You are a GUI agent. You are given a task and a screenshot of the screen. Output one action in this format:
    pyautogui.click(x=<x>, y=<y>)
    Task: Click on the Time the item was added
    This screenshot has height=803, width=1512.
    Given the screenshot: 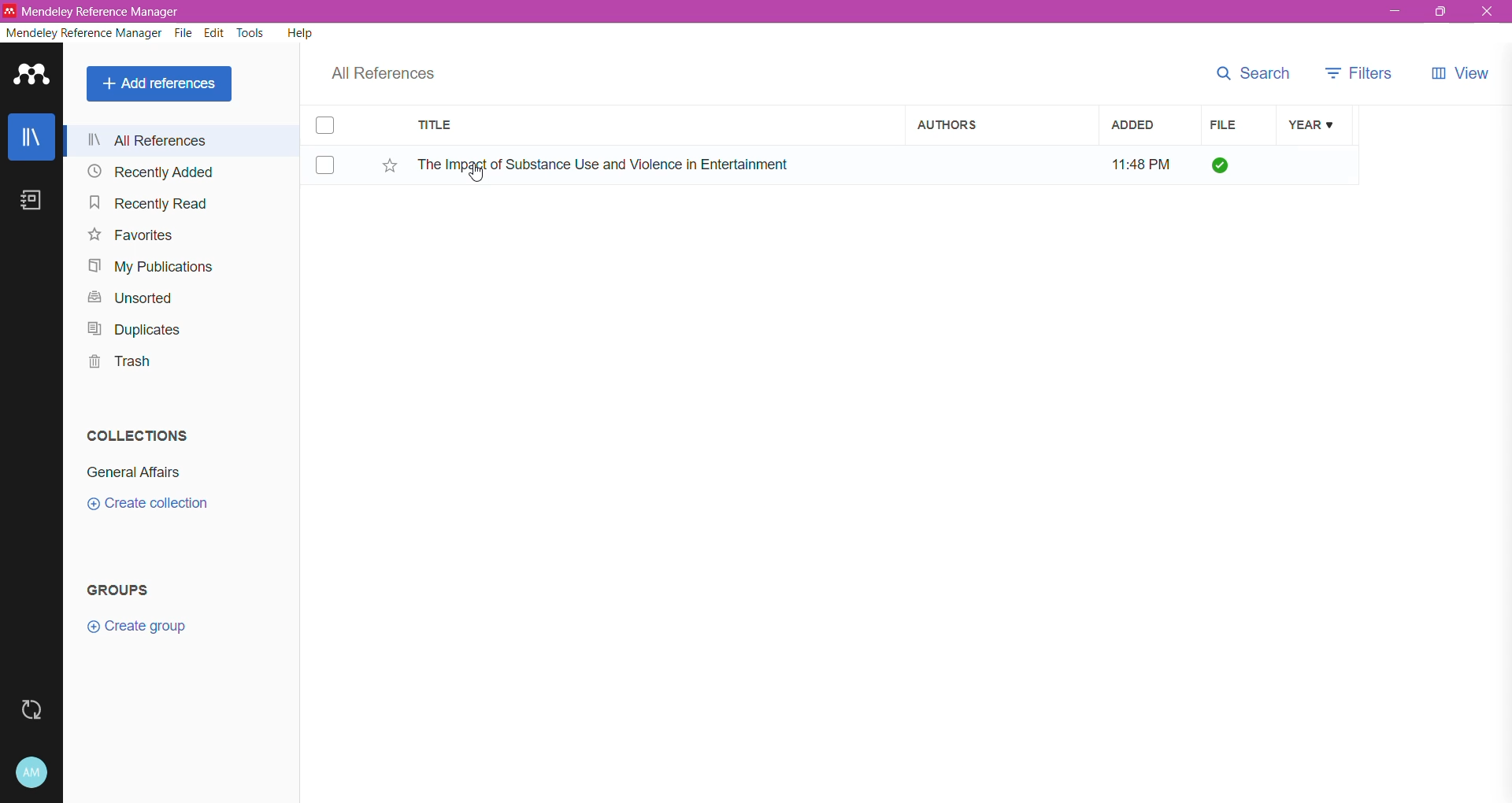 What is the action you would take?
    pyautogui.click(x=1149, y=165)
    